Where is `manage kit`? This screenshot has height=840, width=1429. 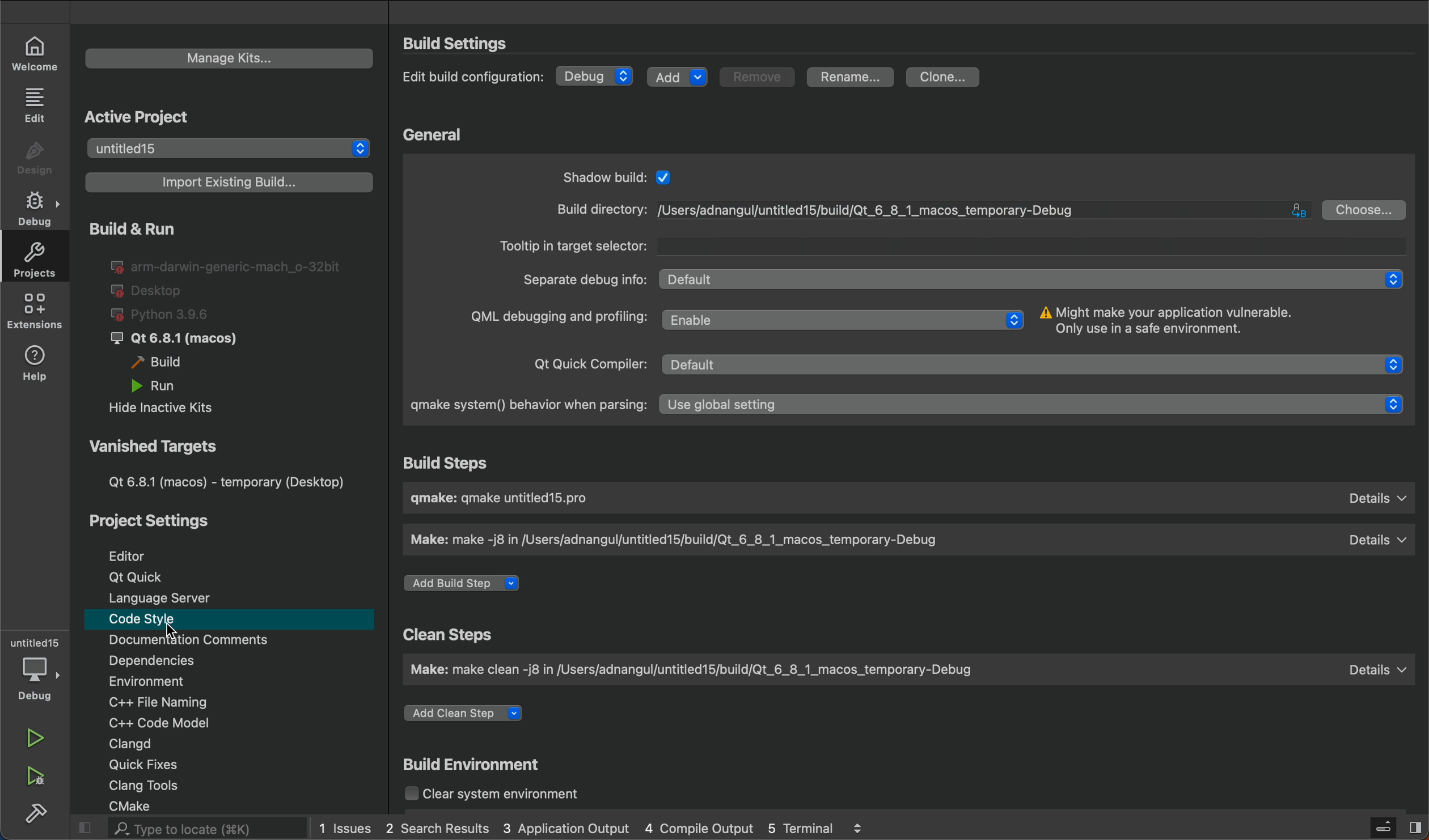
manage kit is located at coordinates (230, 58).